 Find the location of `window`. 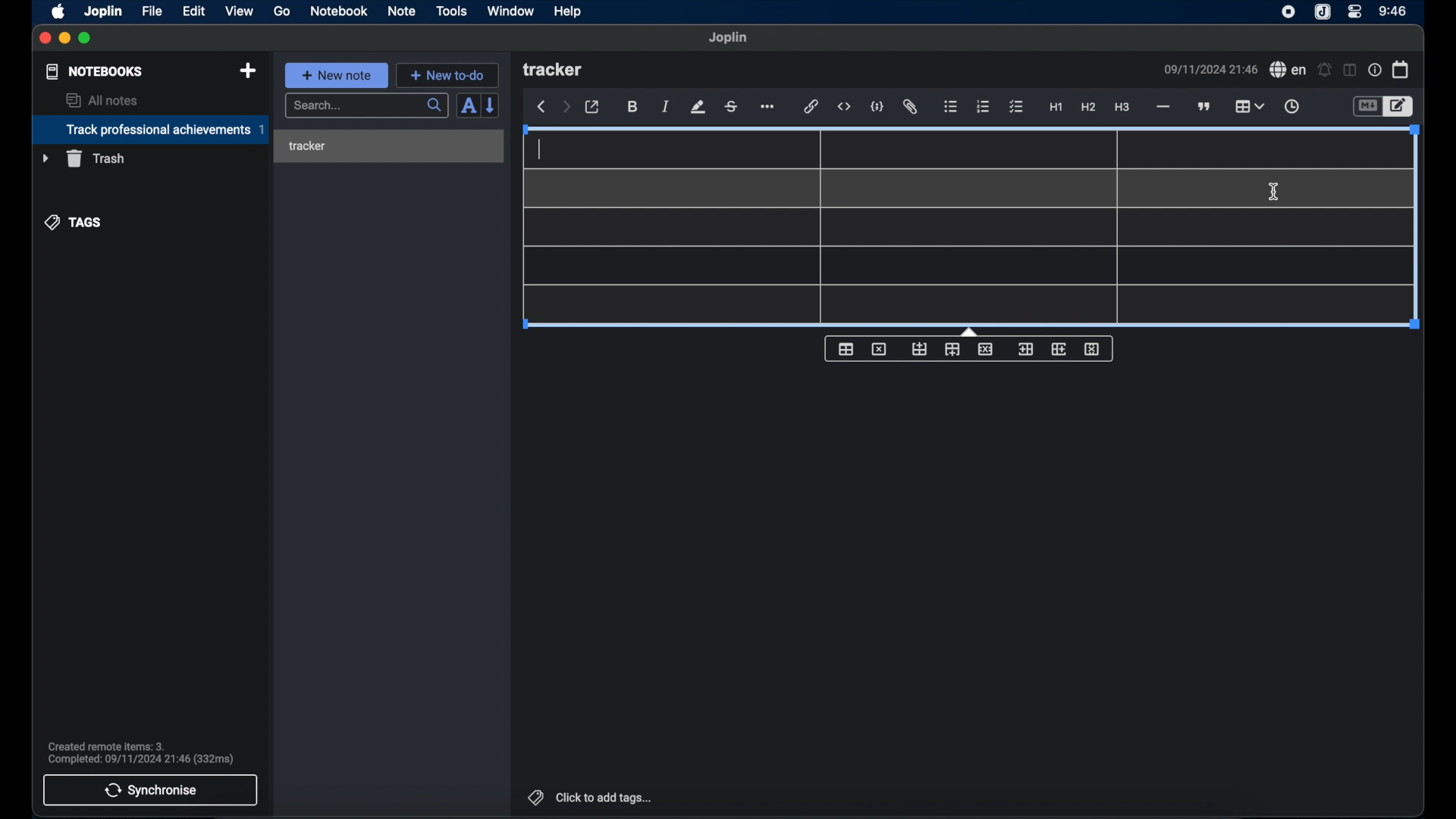

window is located at coordinates (510, 11).